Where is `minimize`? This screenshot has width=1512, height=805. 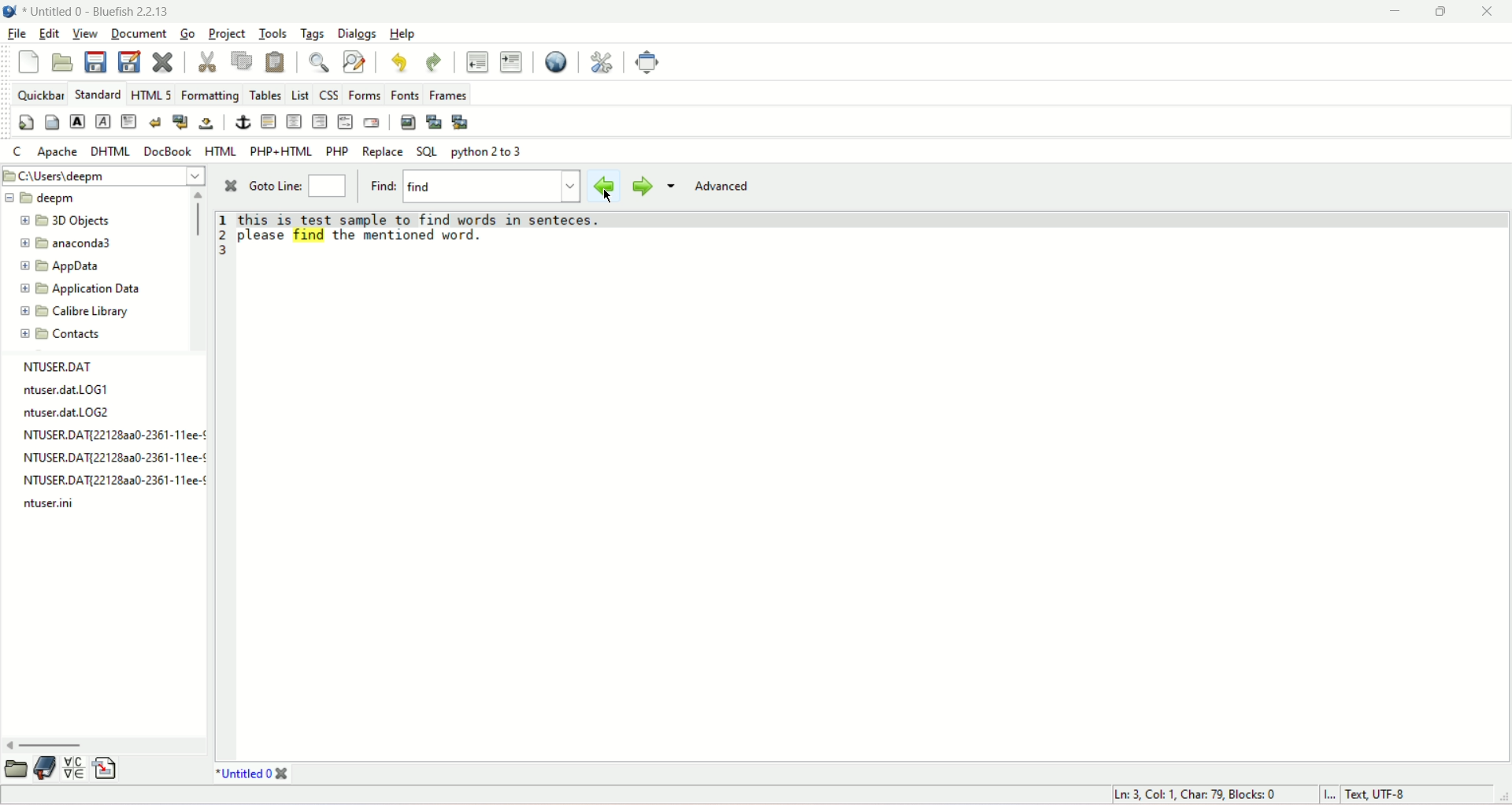
minimize is located at coordinates (1393, 12).